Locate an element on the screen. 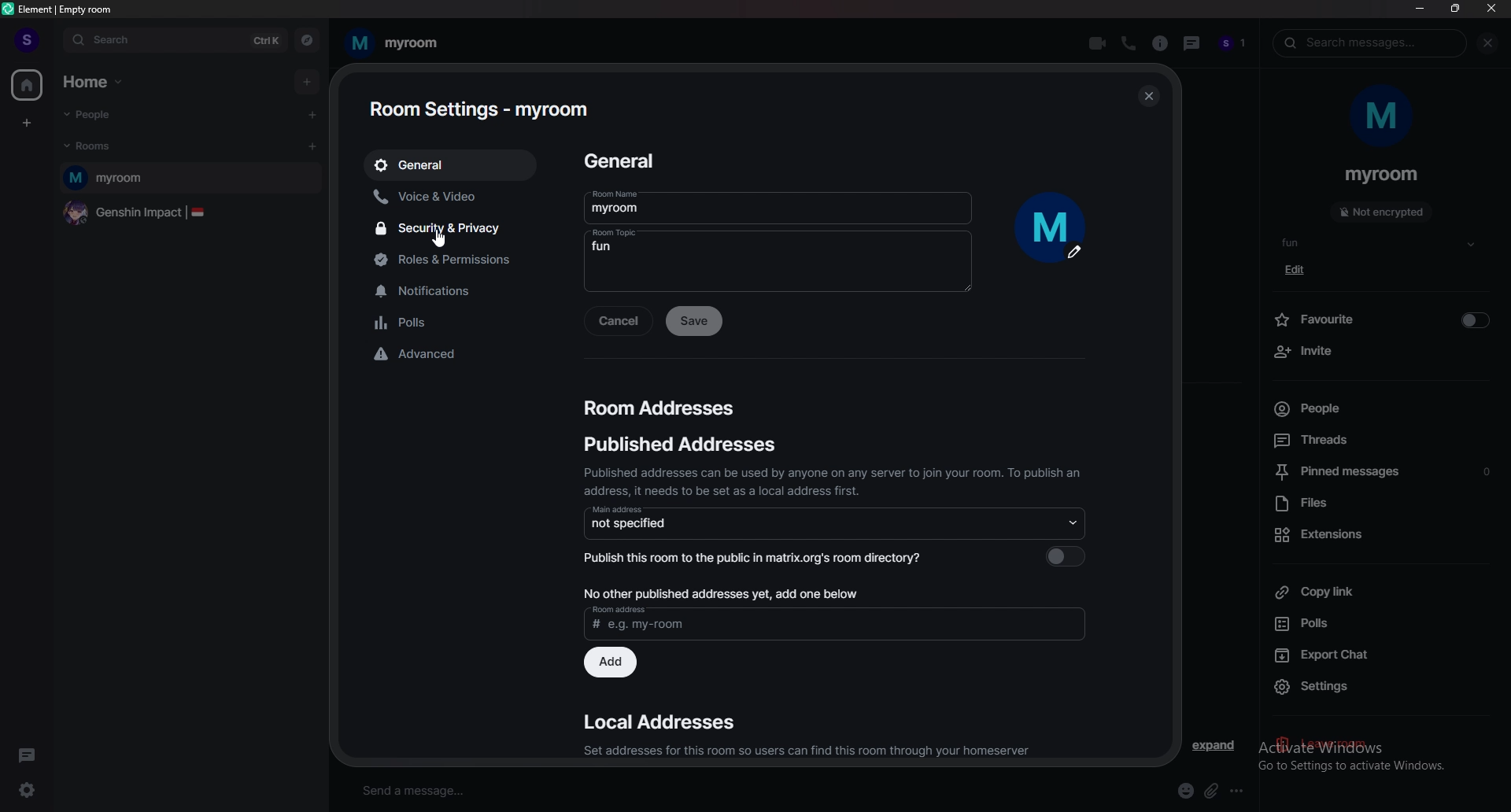 This screenshot has width=1511, height=812. expand is located at coordinates (1215, 745).